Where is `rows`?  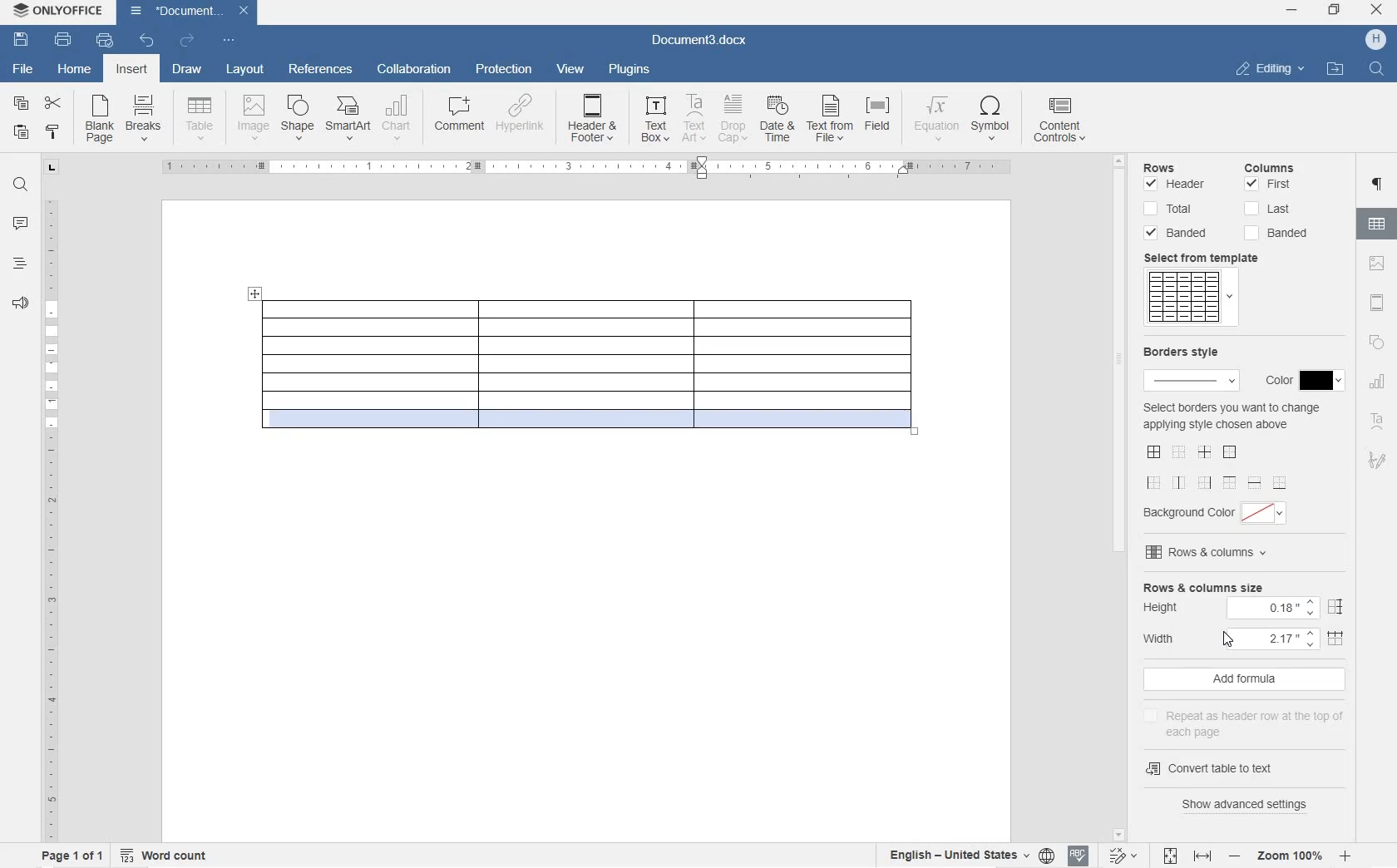
rows is located at coordinates (1177, 169).